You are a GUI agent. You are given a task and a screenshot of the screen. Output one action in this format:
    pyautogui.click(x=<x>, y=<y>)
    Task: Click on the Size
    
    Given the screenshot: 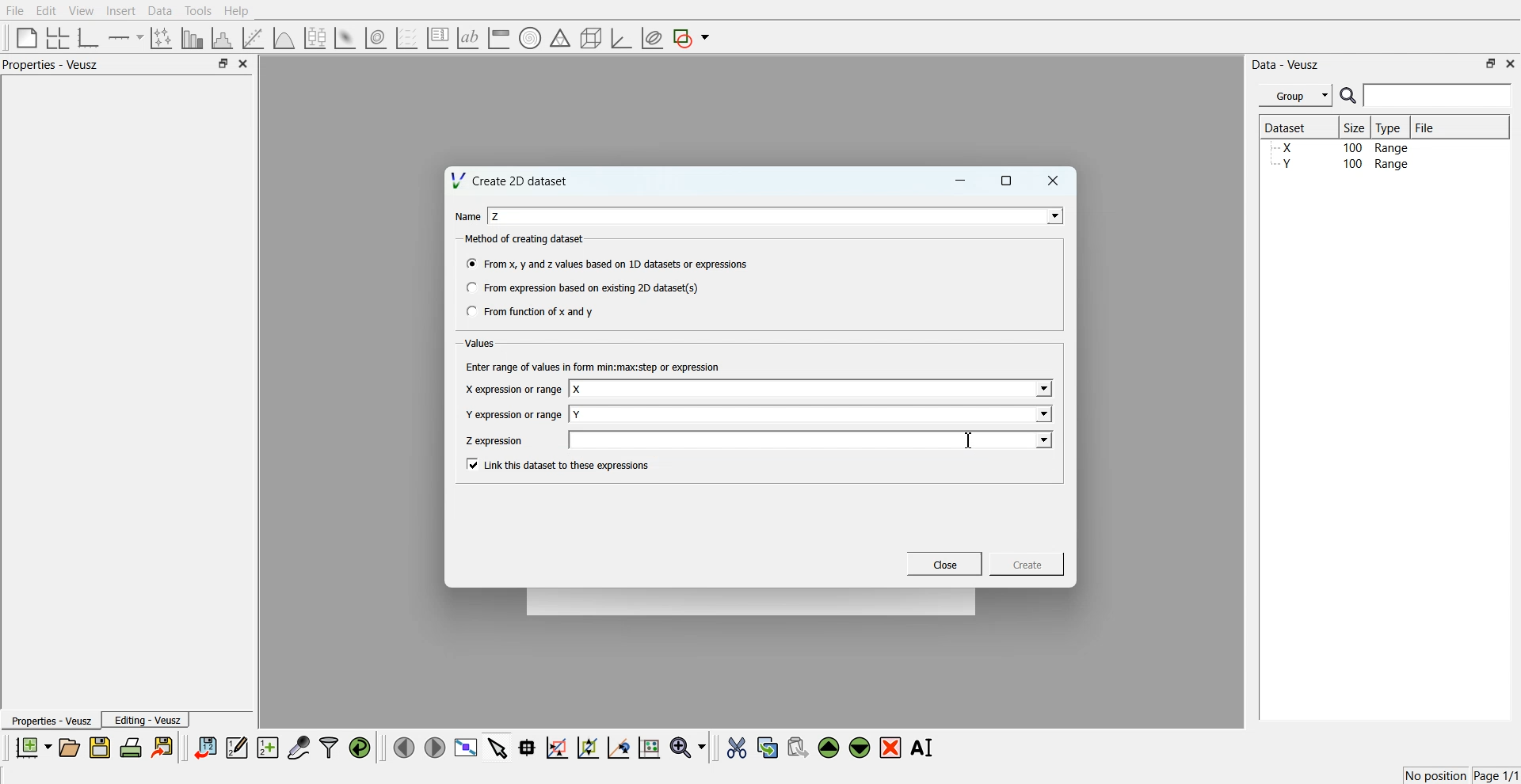 What is the action you would take?
    pyautogui.click(x=1355, y=127)
    